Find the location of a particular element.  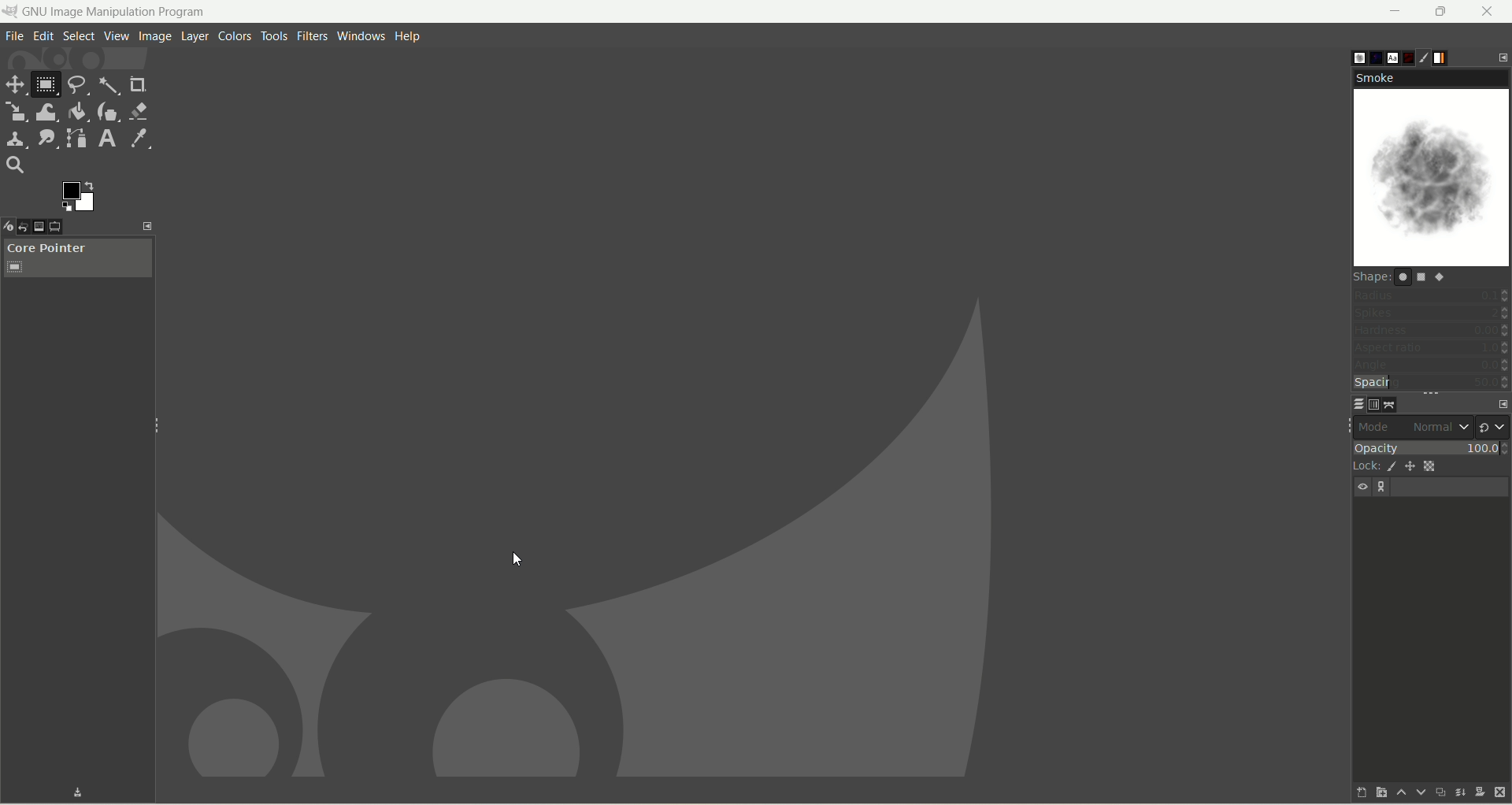

colors is located at coordinates (236, 36).